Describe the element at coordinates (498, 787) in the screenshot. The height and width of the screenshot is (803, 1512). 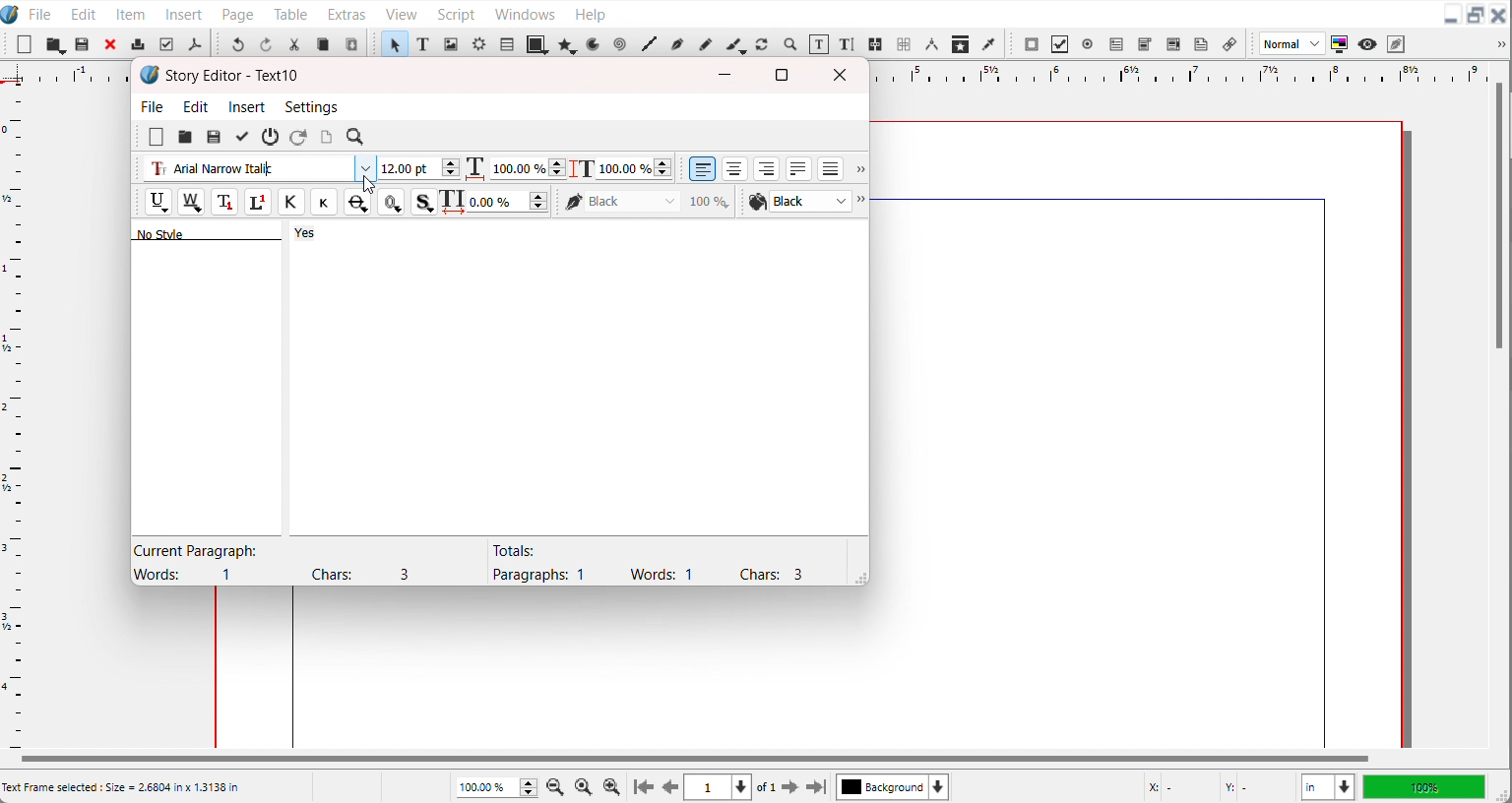
I see `Adjust Zoom` at that location.